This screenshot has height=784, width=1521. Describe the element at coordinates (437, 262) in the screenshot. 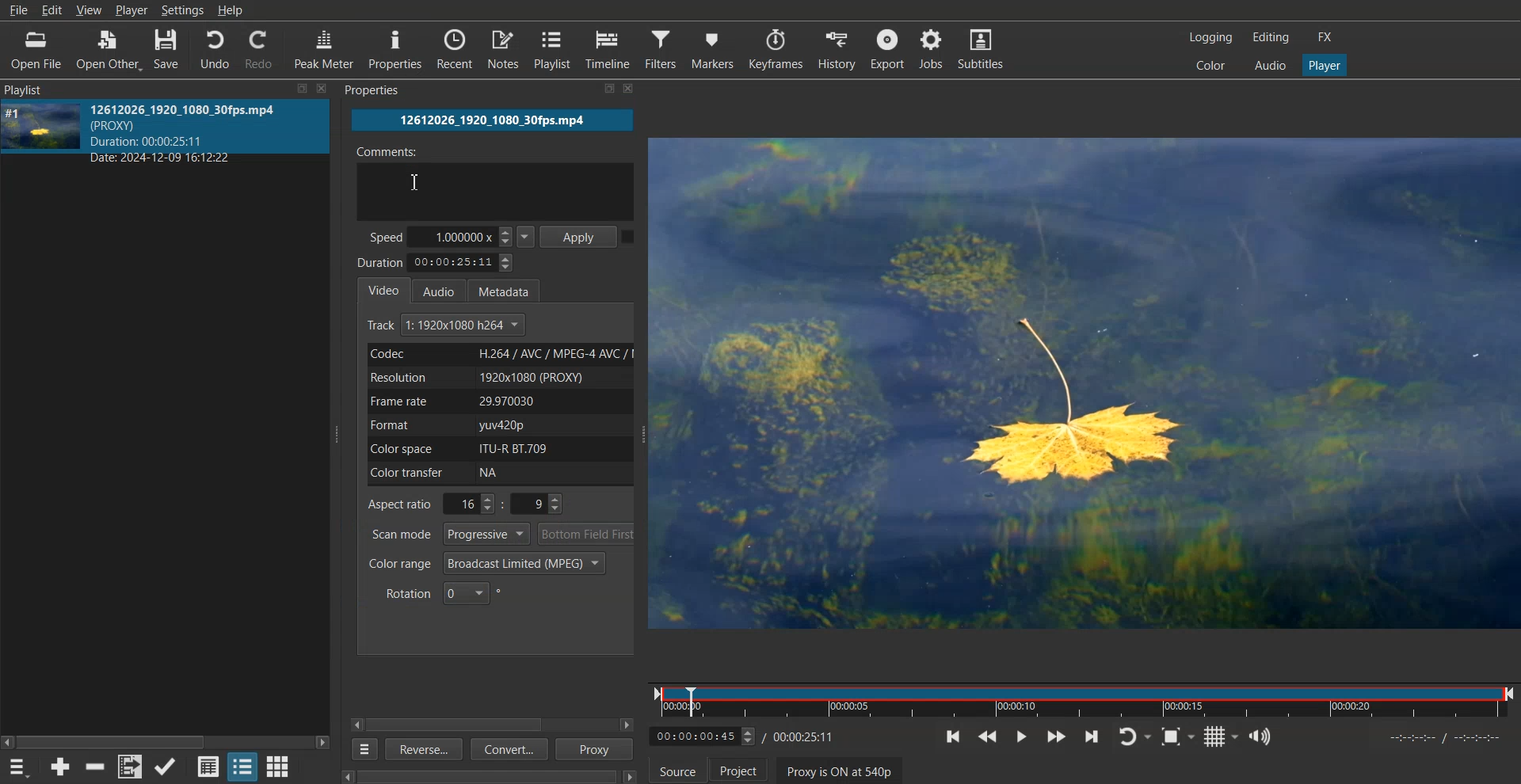

I see `Time duration adjuster` at that location.